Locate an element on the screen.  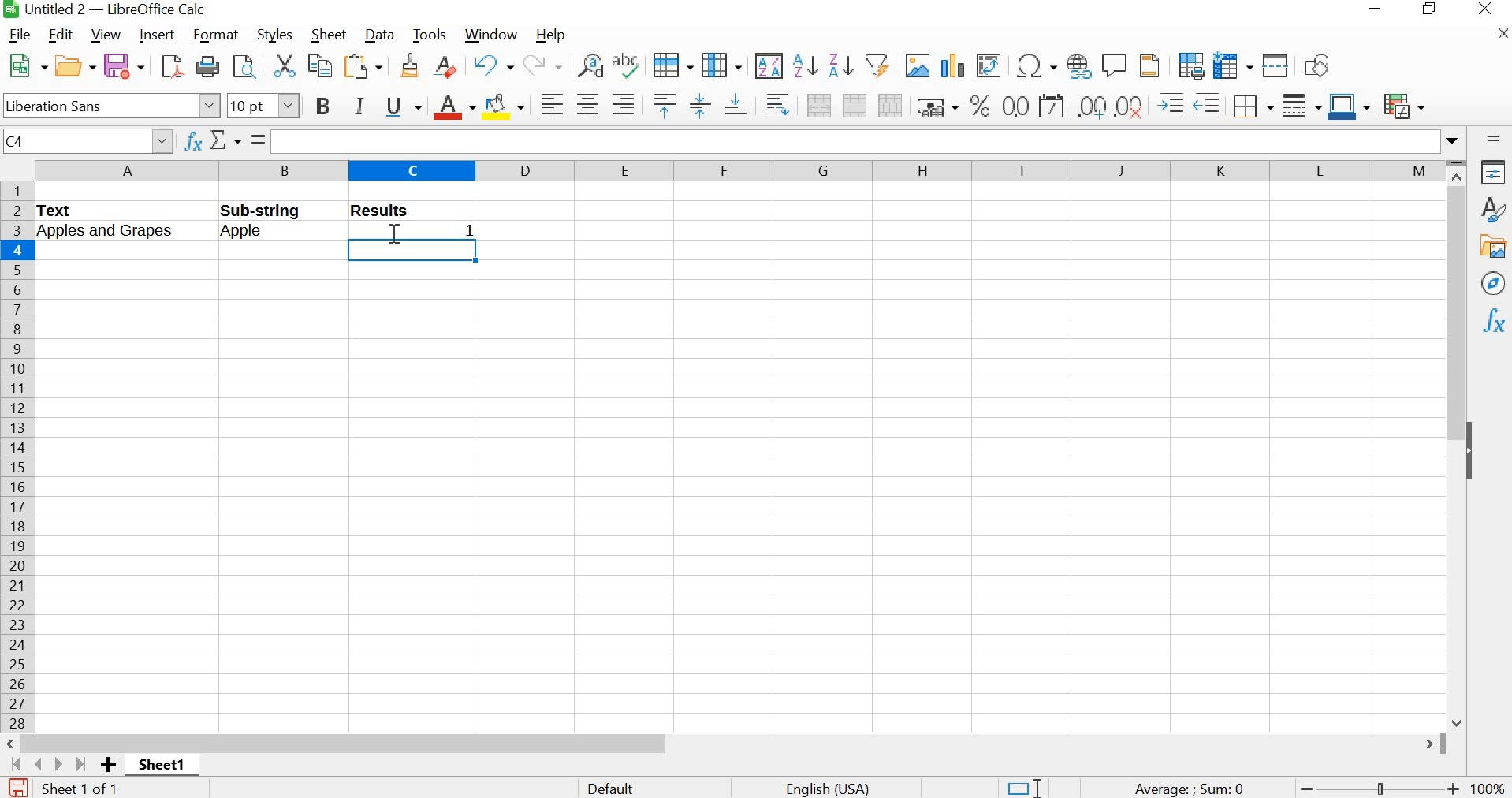
help is located at coordinates (555, 34).